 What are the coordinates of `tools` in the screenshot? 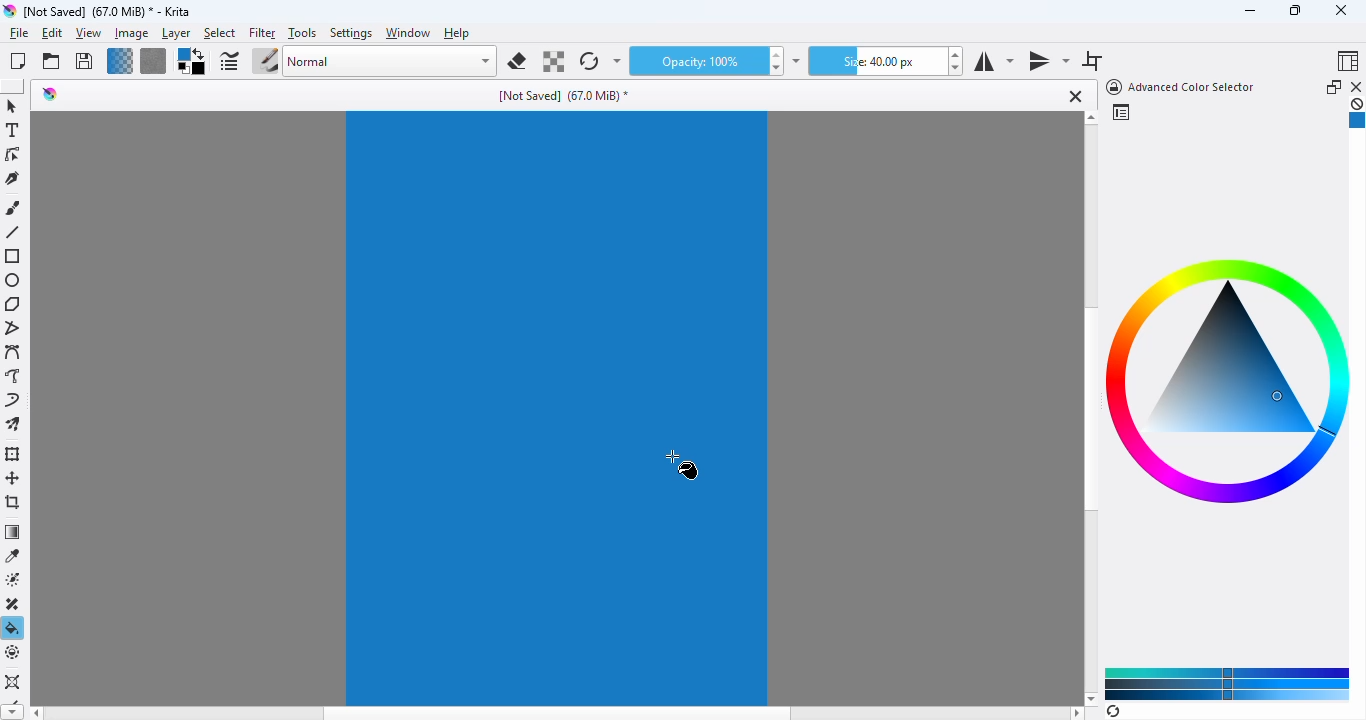 It's located at (302, 33).